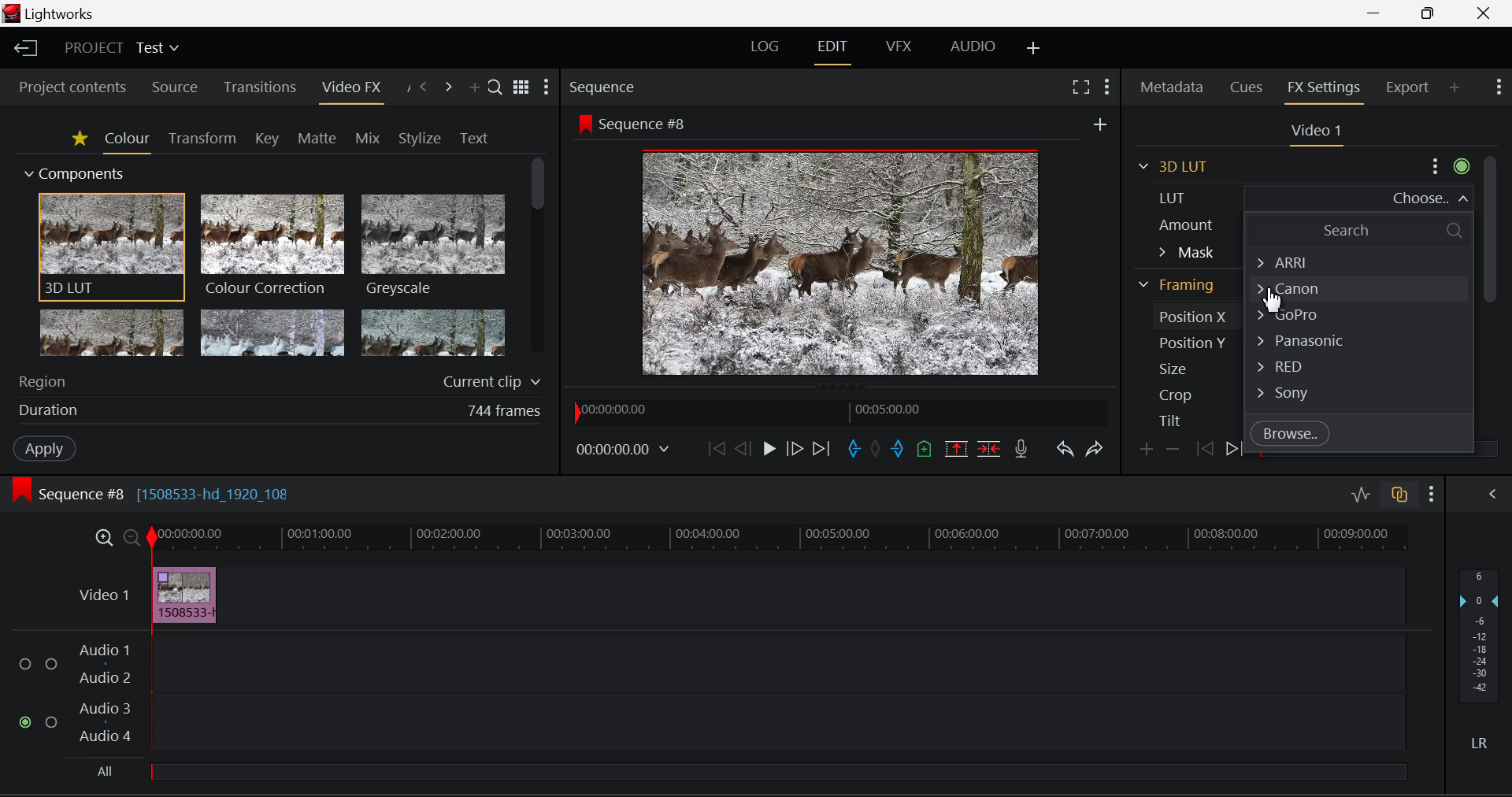  I want to click on Next Panel, so click(450, 85).